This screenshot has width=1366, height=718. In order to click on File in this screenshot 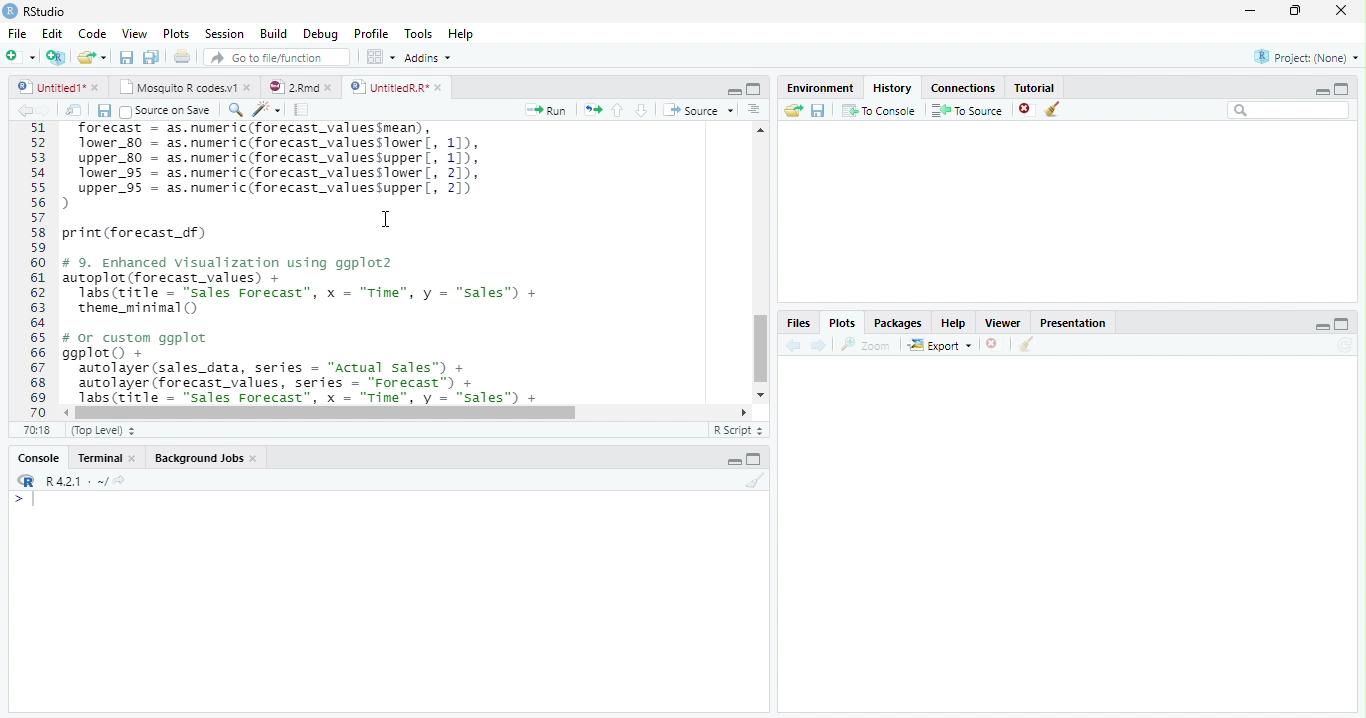, I will do `click(17, 33)`.